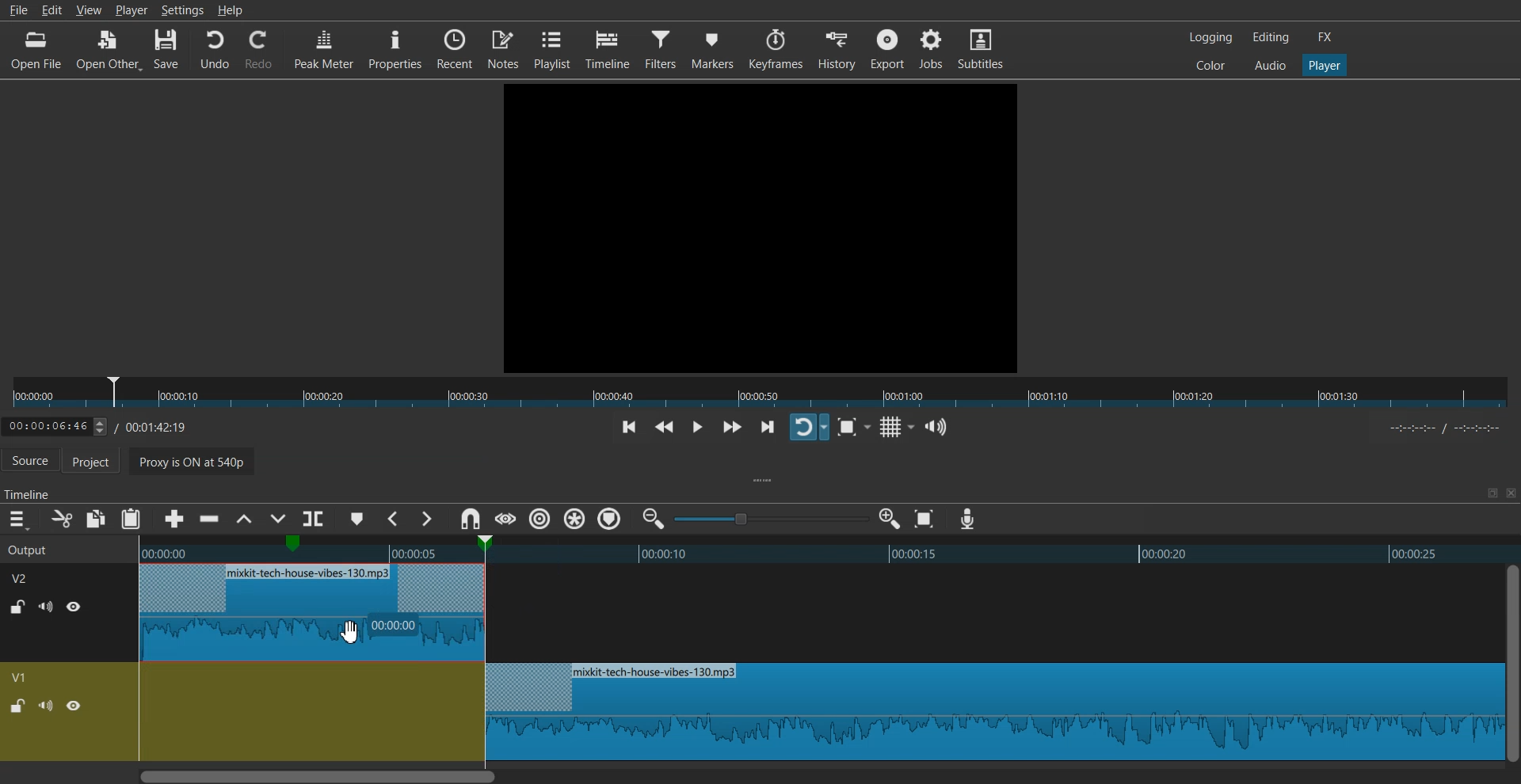 The width and height of the screenshot is (1521, 784). I want to click on Lift, so click(243, 519).